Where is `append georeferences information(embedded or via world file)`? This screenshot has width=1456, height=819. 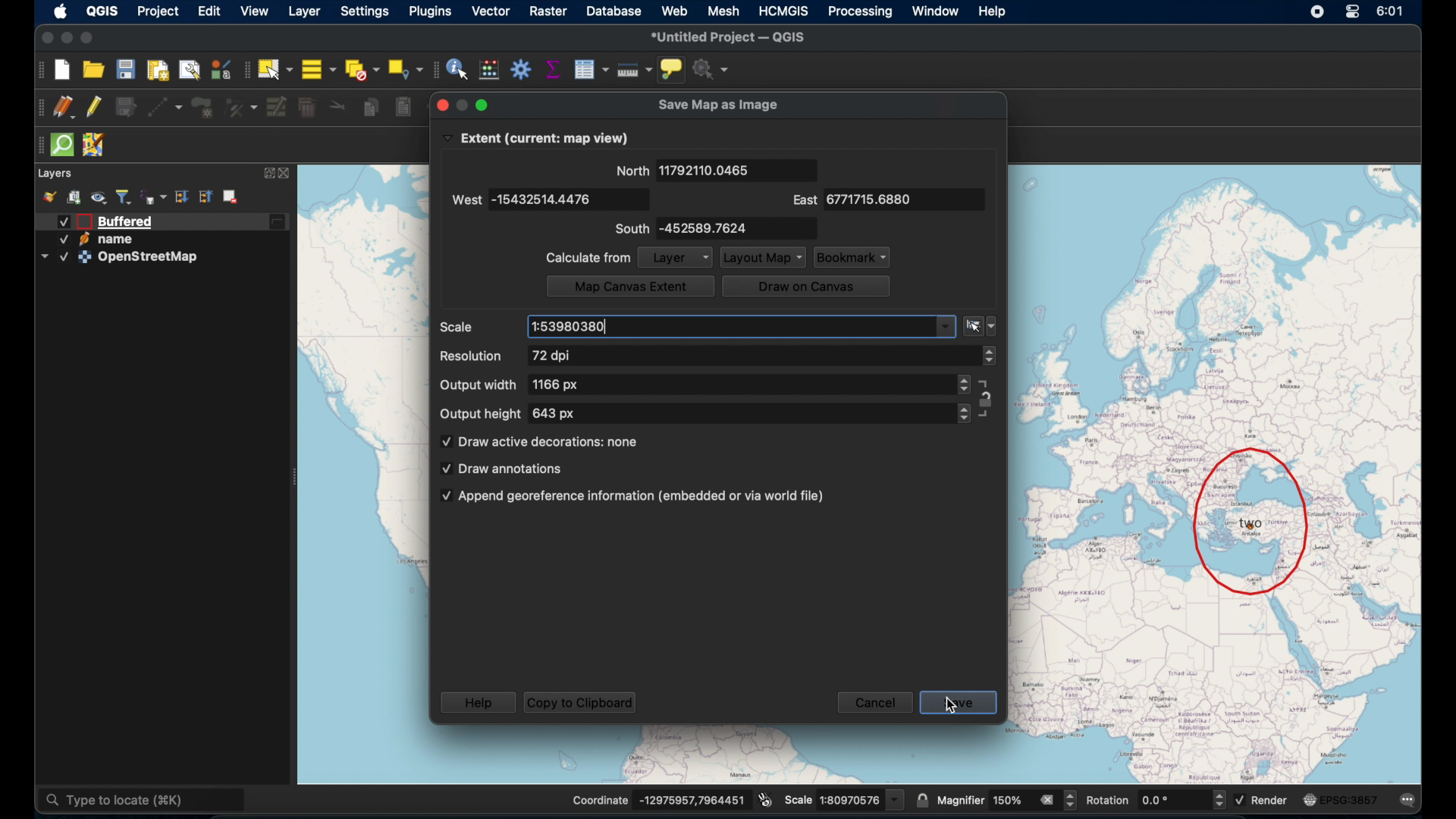
append georeferences information(embedded or via world file) is located at coordinates (634, 495).